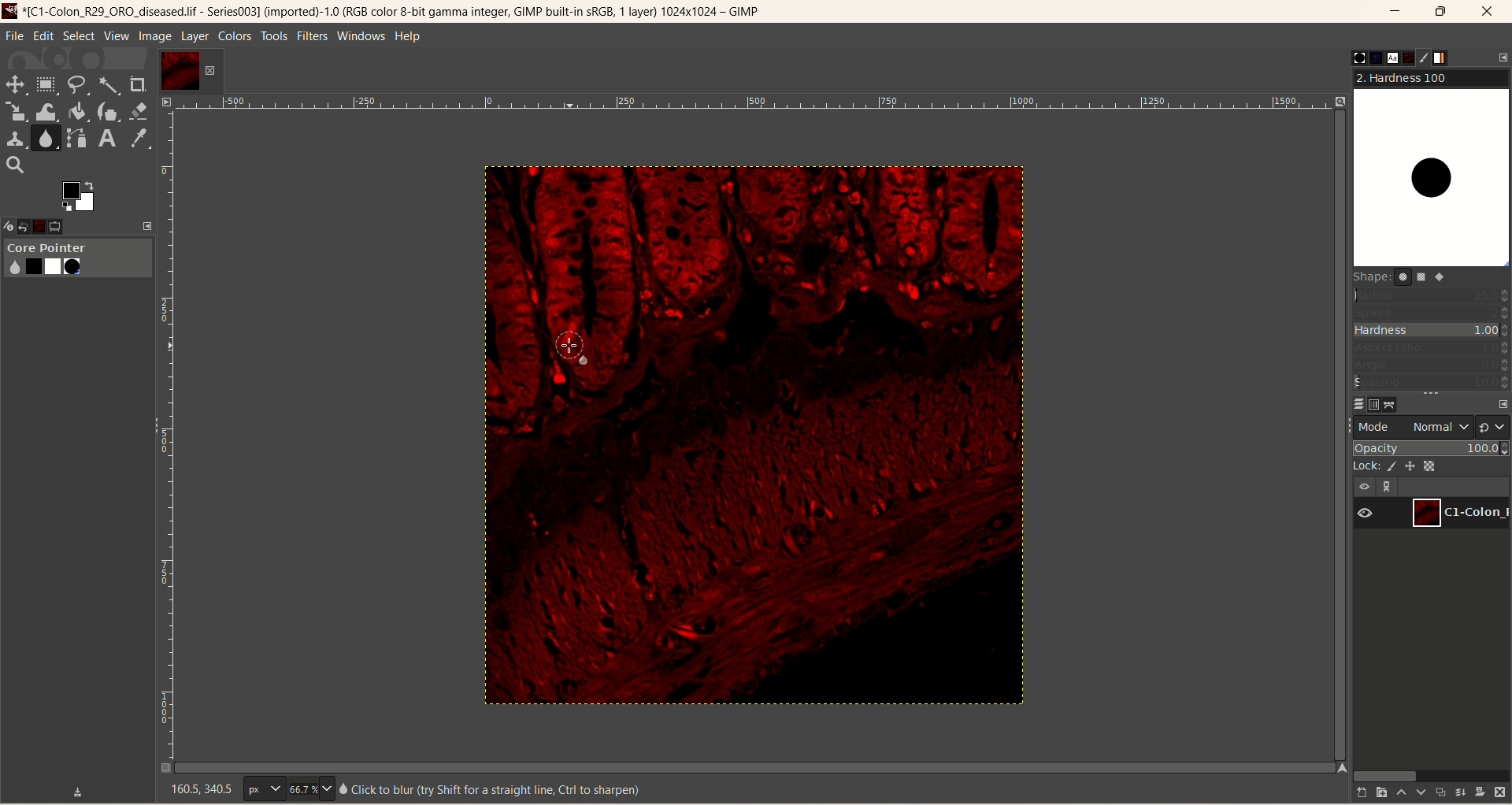 The height and width of the screenshot is (805, 1512). Describe the element at coordinates (1436, 427) in the screenshot. I see `normal` at that location.